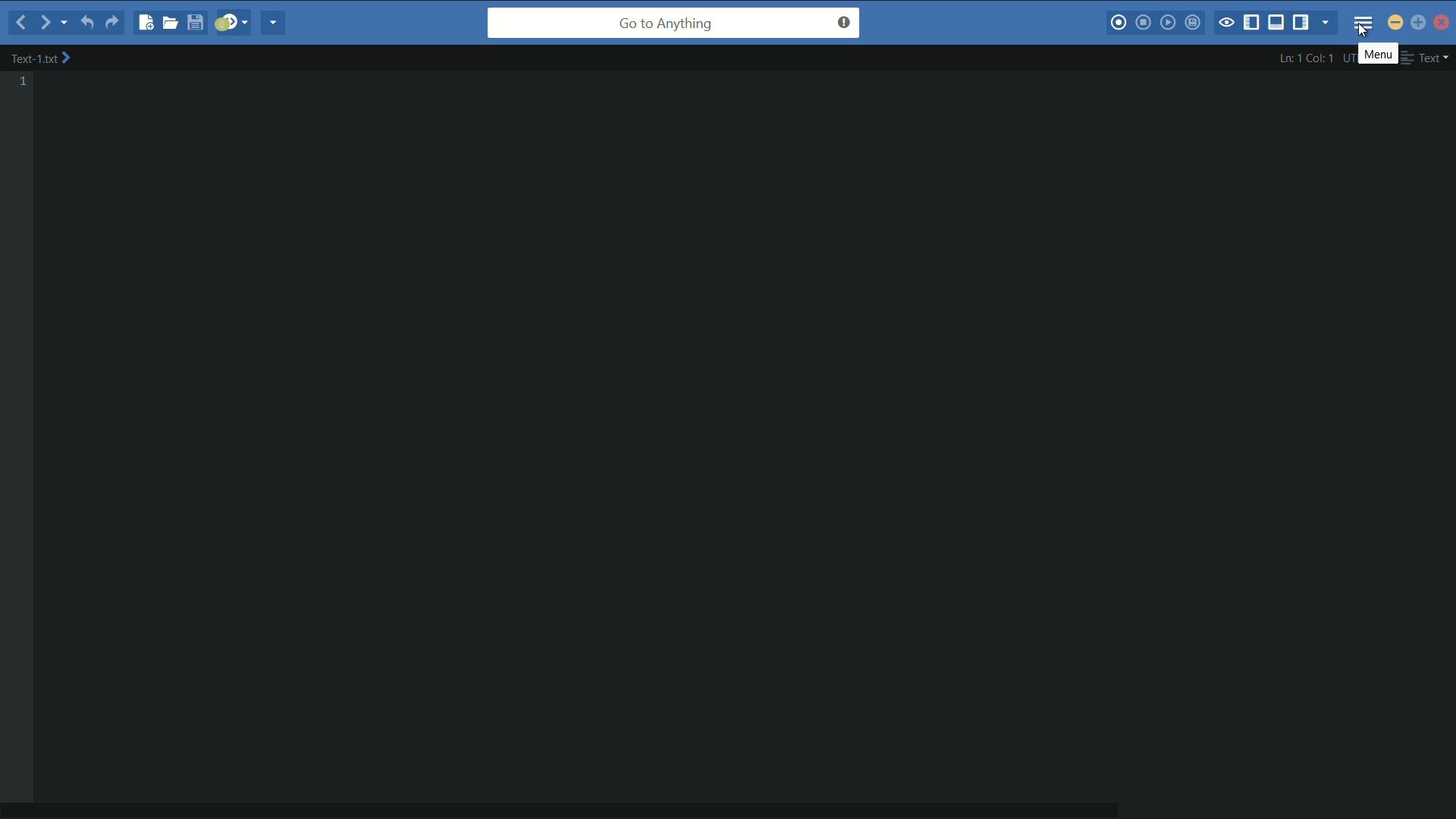 The image size is (1456, 819). What do you see at coordinates (1394, 22) in the screenshot?
I see `minimize` at bounding box center [1394, 22].